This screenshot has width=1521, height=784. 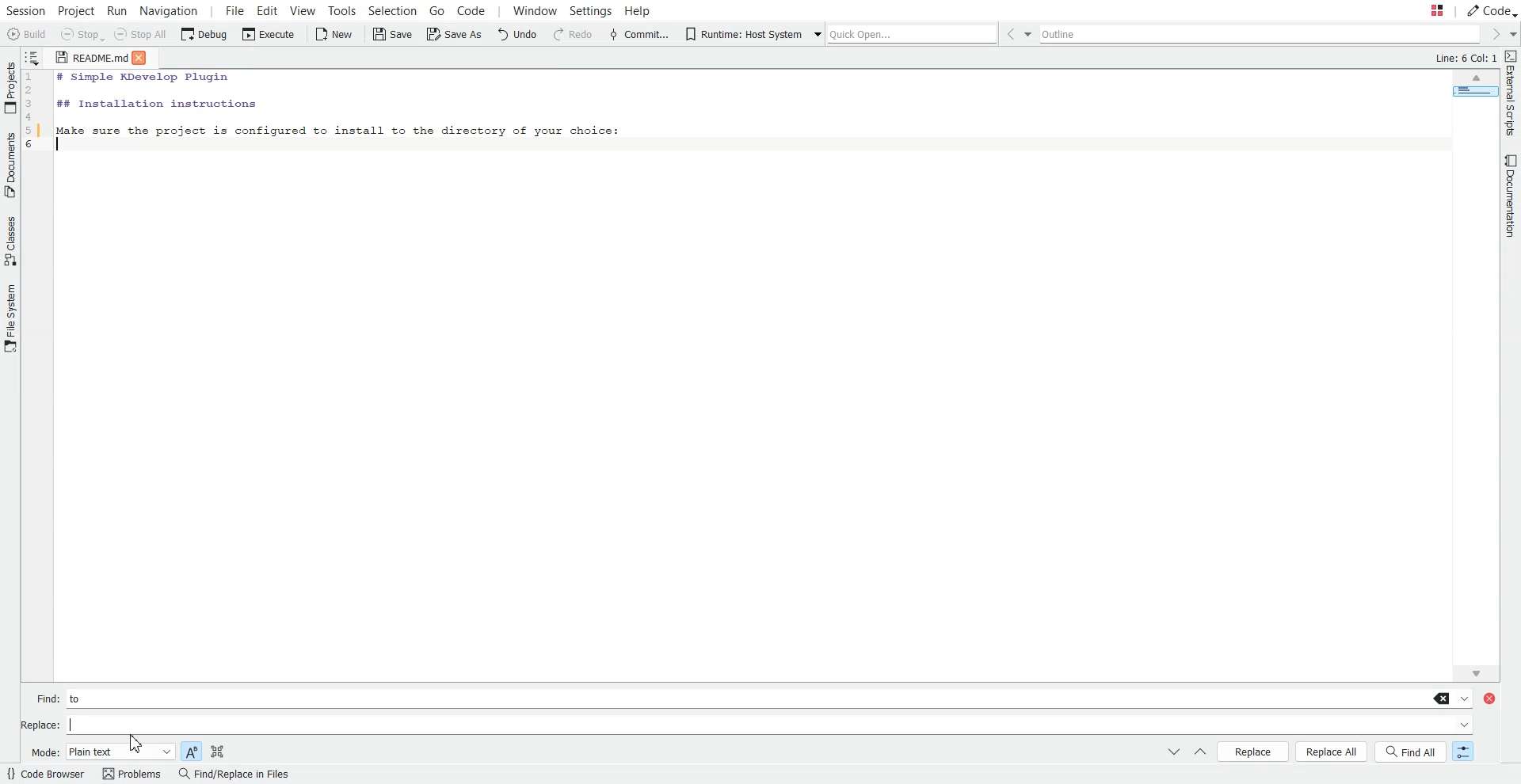 I want to click on Erase, so click(x=1443, y=698).